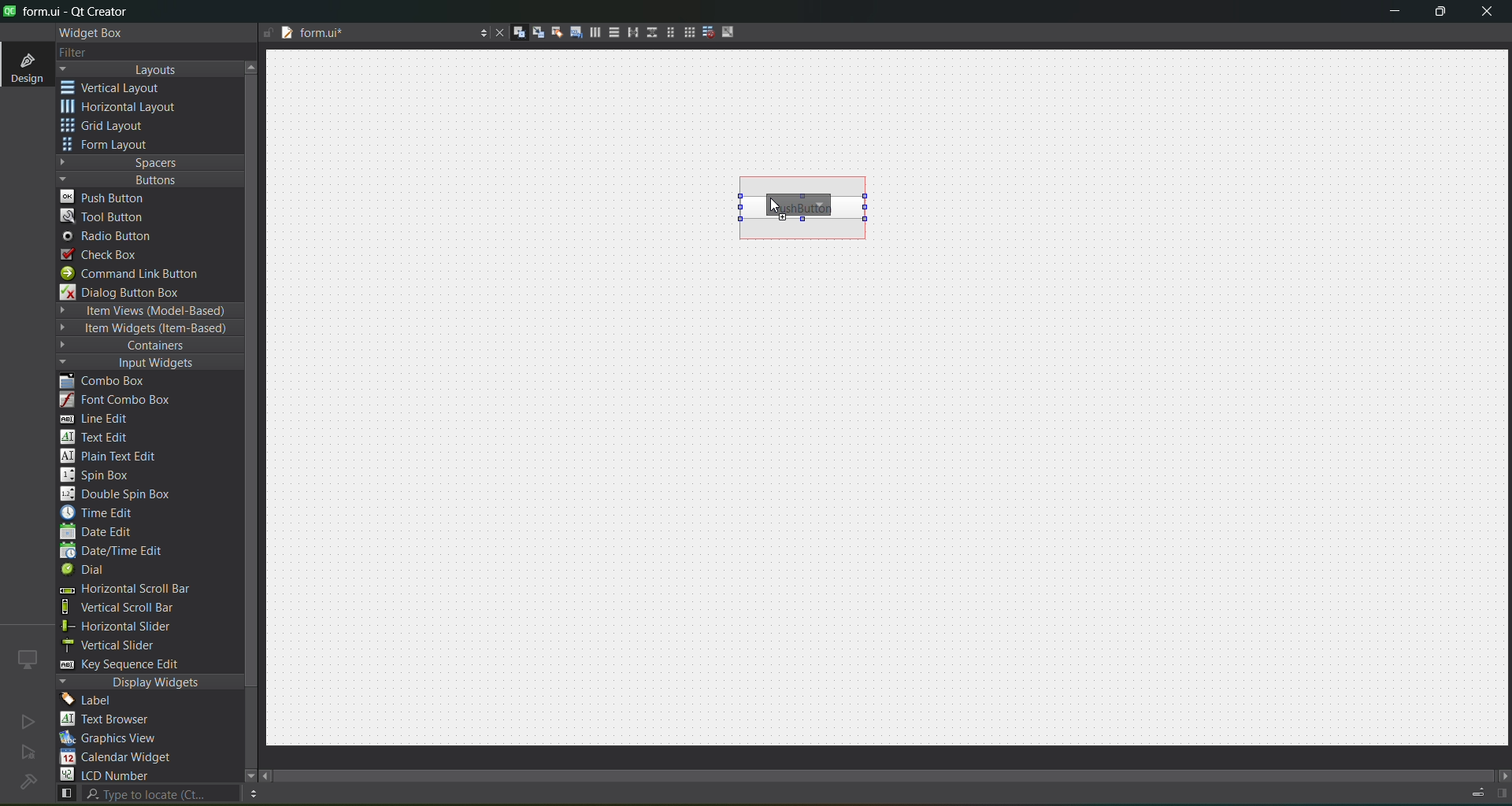 The image size is (1512, 806). Describe the element at coordinates (28, 659) in the screenshot. I see `icon` at that location.